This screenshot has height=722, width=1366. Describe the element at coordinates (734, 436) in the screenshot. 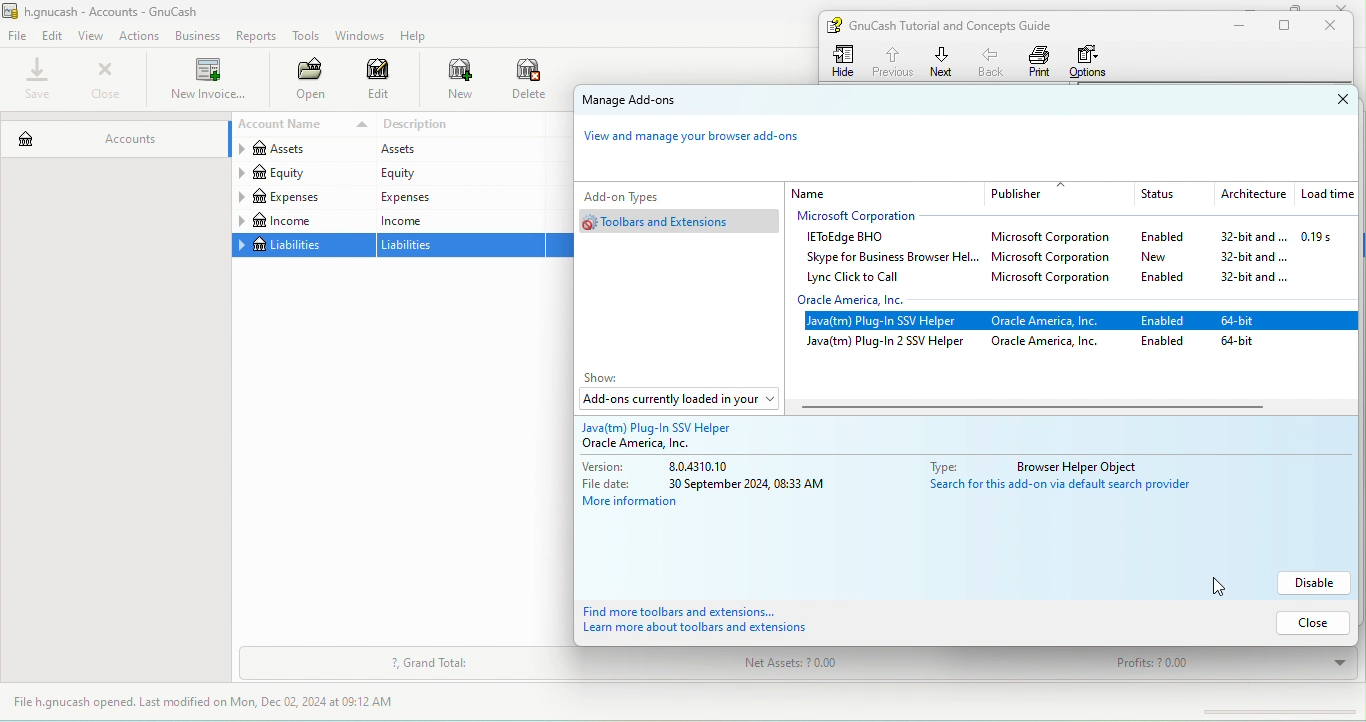

I see `select an add on to modify status or view details` at that location.